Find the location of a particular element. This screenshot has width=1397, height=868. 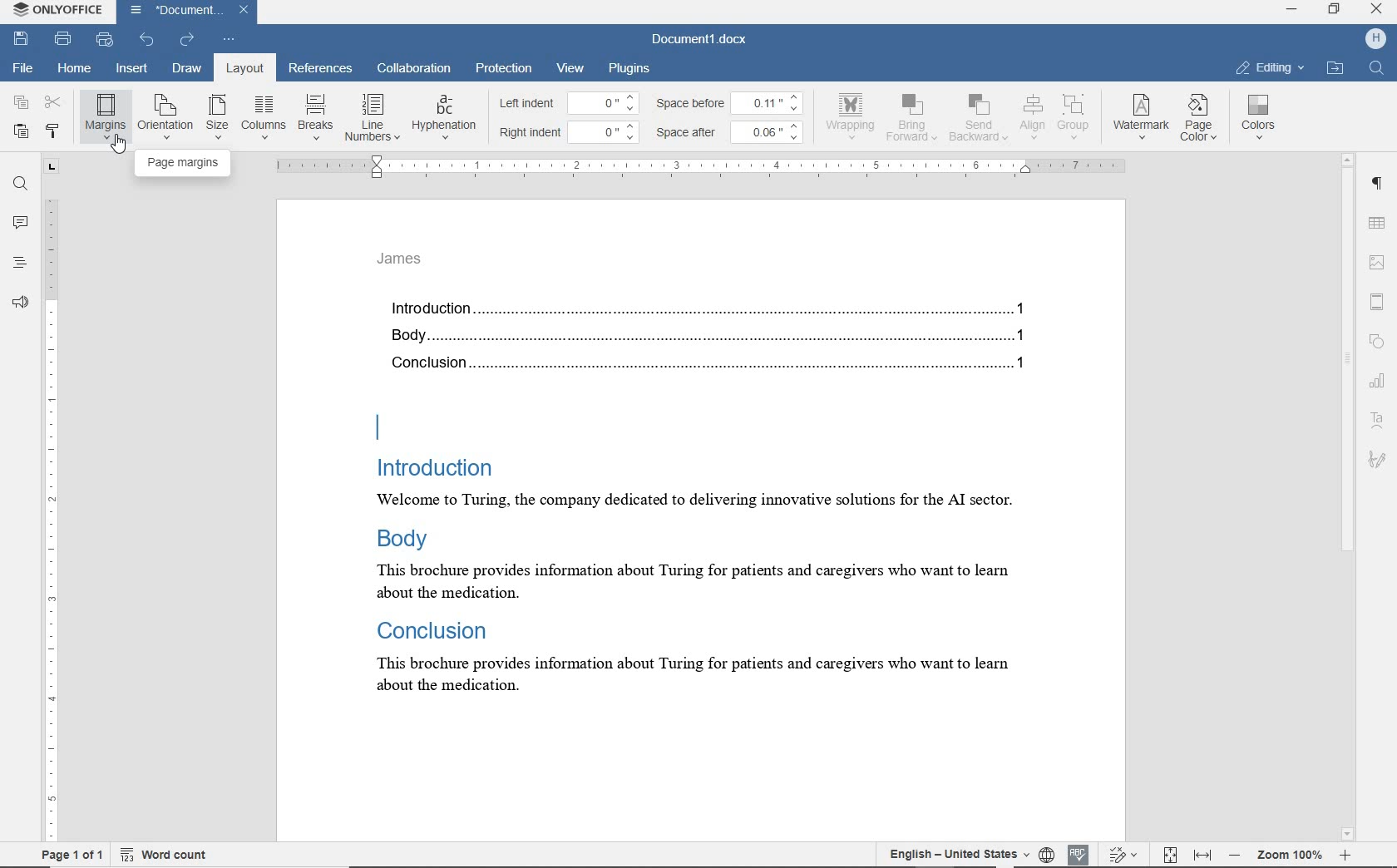

home is located at coordinates (72, 69).